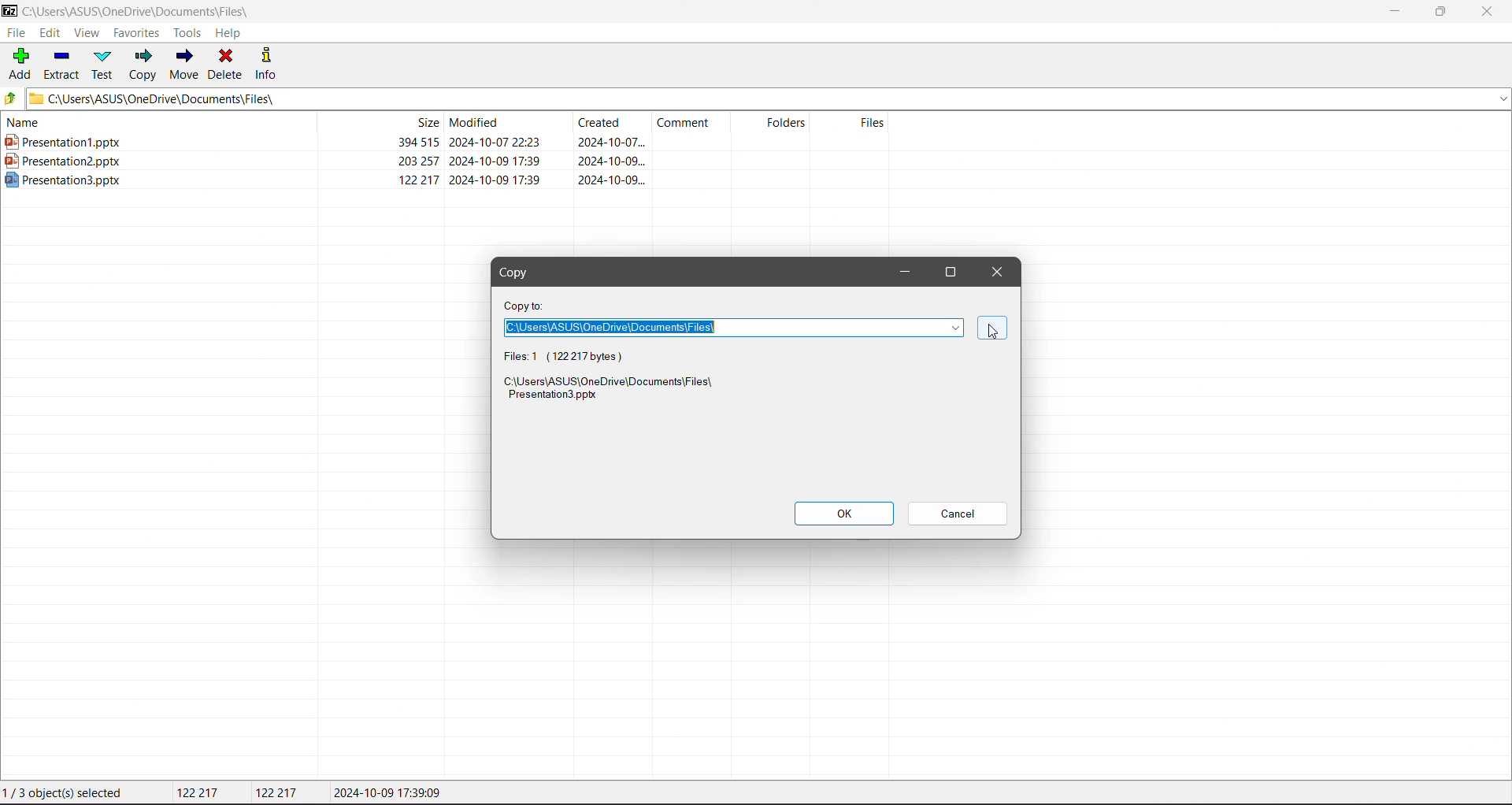 The width and height of the screenshot is (1512, 805). What do you see at coordinates (990, 331) in the screenshot?
I see `cursor` at bounding box center [990, 331].